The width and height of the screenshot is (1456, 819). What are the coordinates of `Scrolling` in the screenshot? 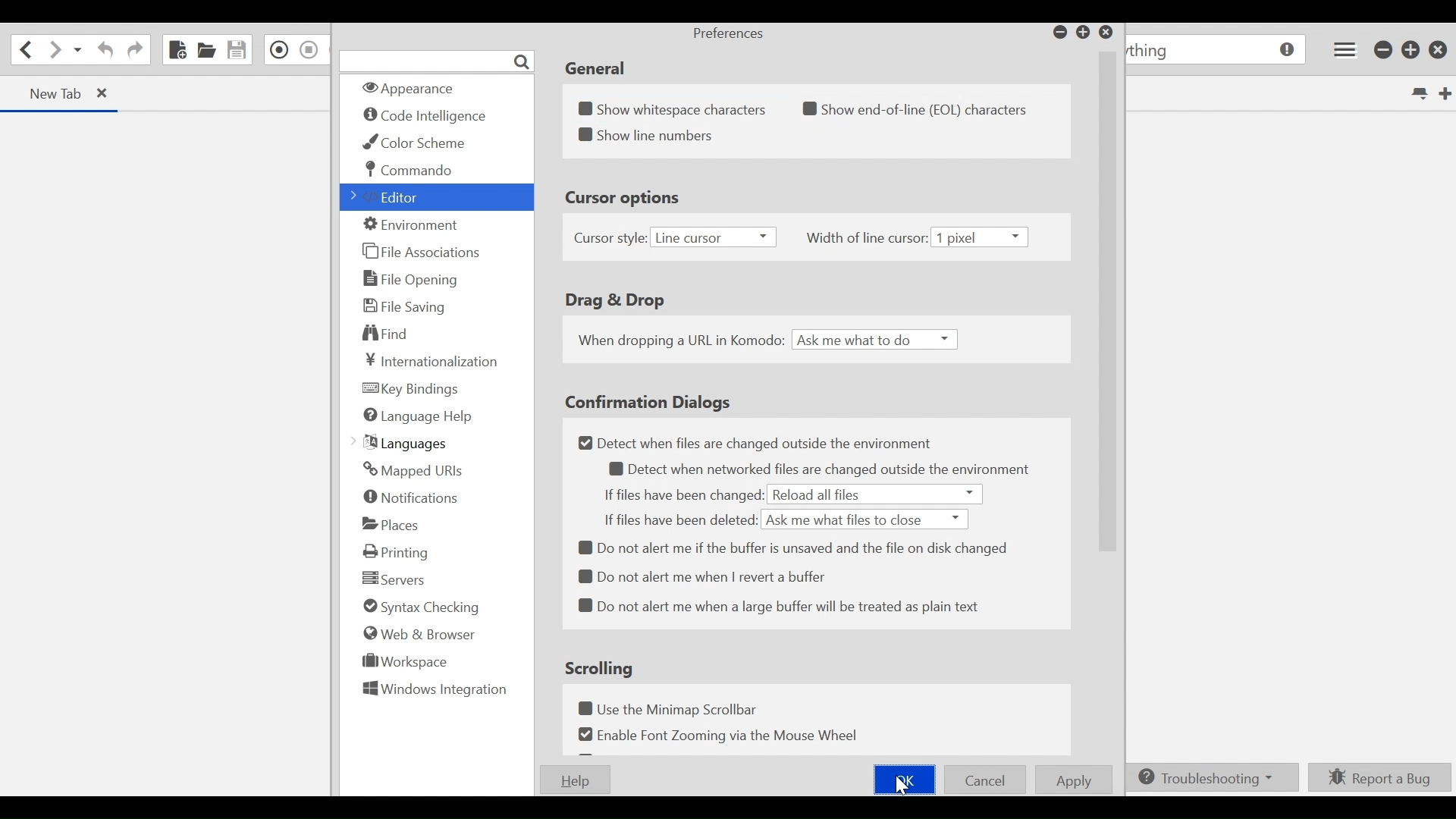 It's located at (601, 667).